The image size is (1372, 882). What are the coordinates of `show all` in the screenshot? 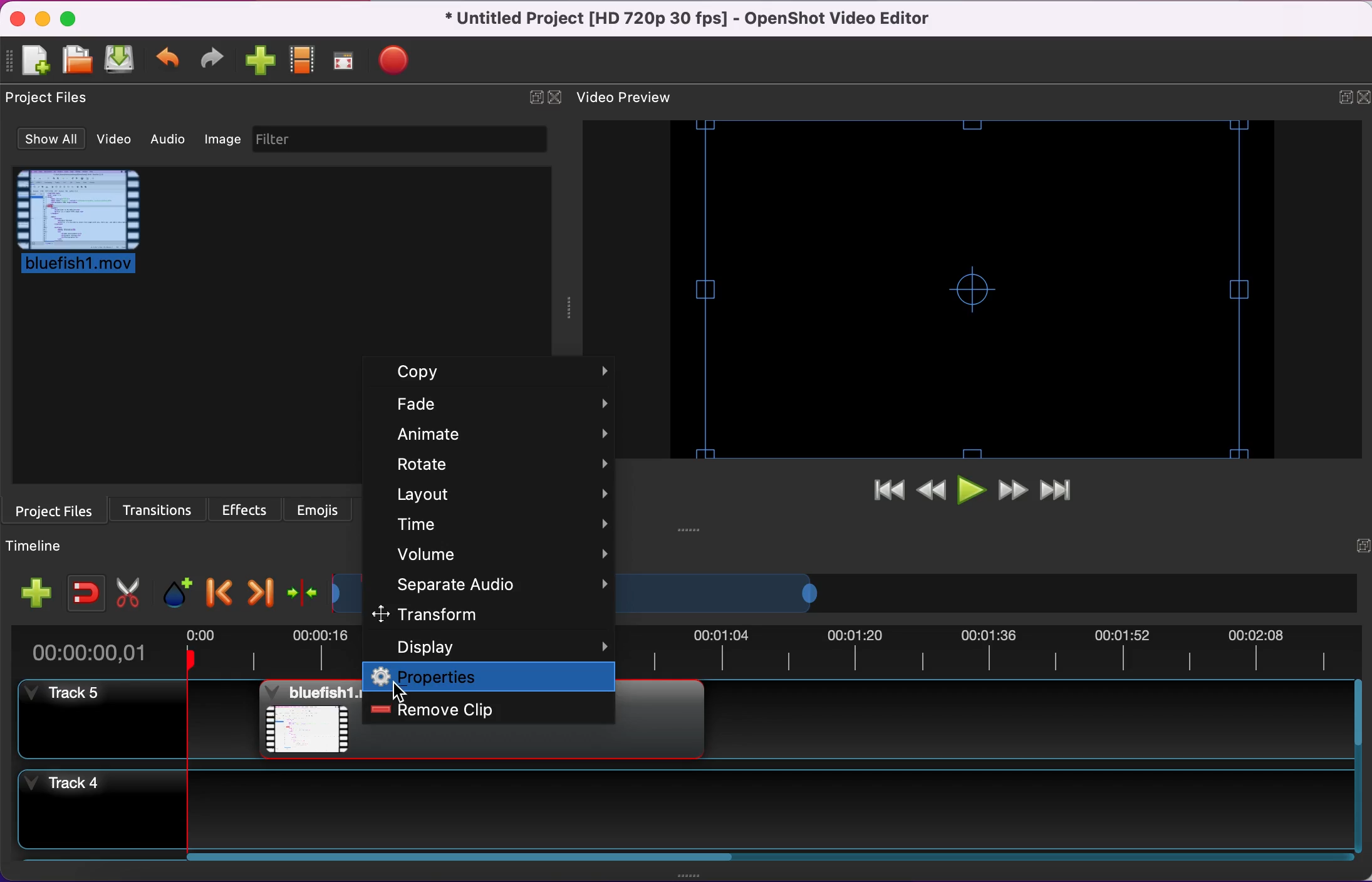 It's located at (44, 139).